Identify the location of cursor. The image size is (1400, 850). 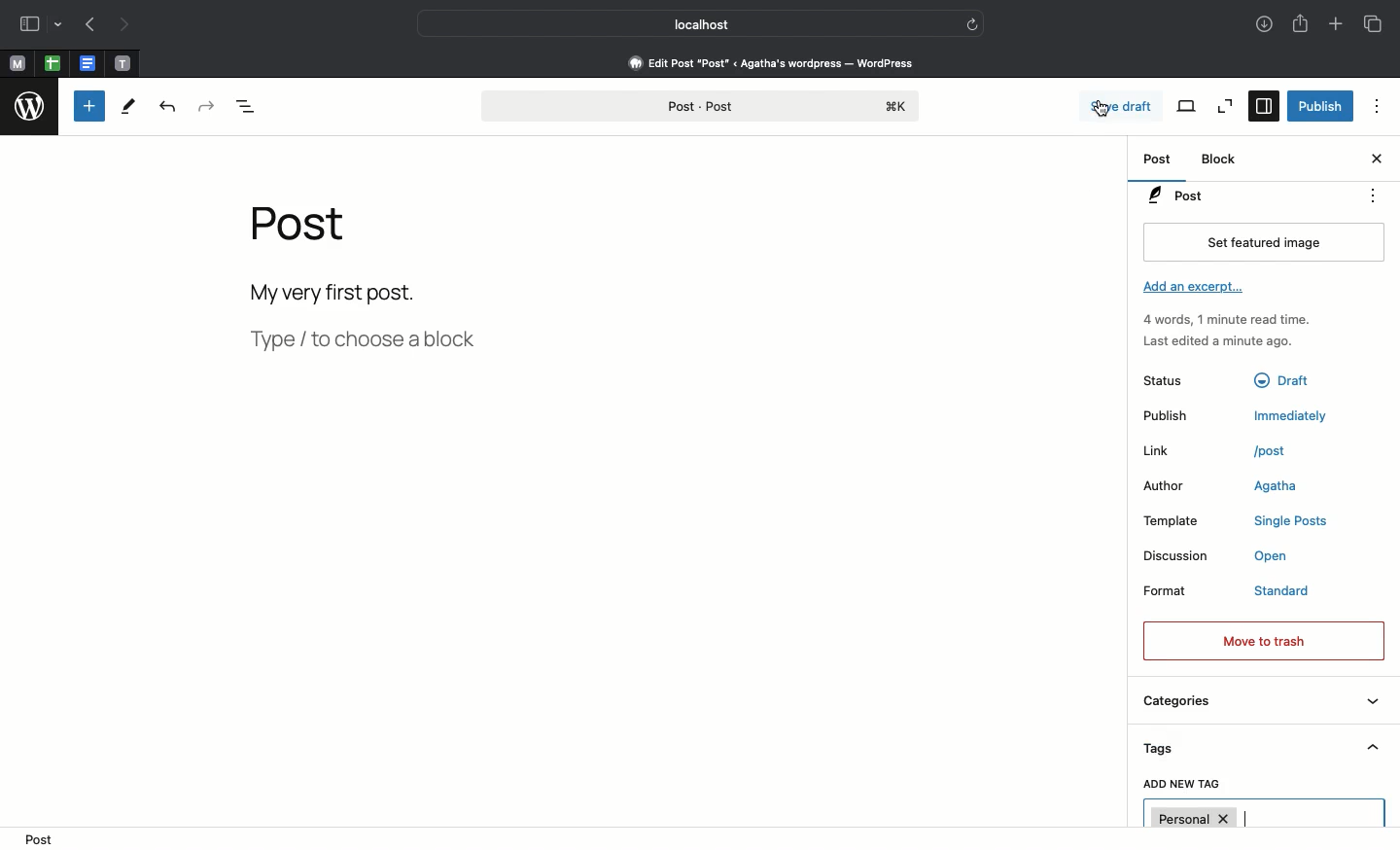
(1100, 103).